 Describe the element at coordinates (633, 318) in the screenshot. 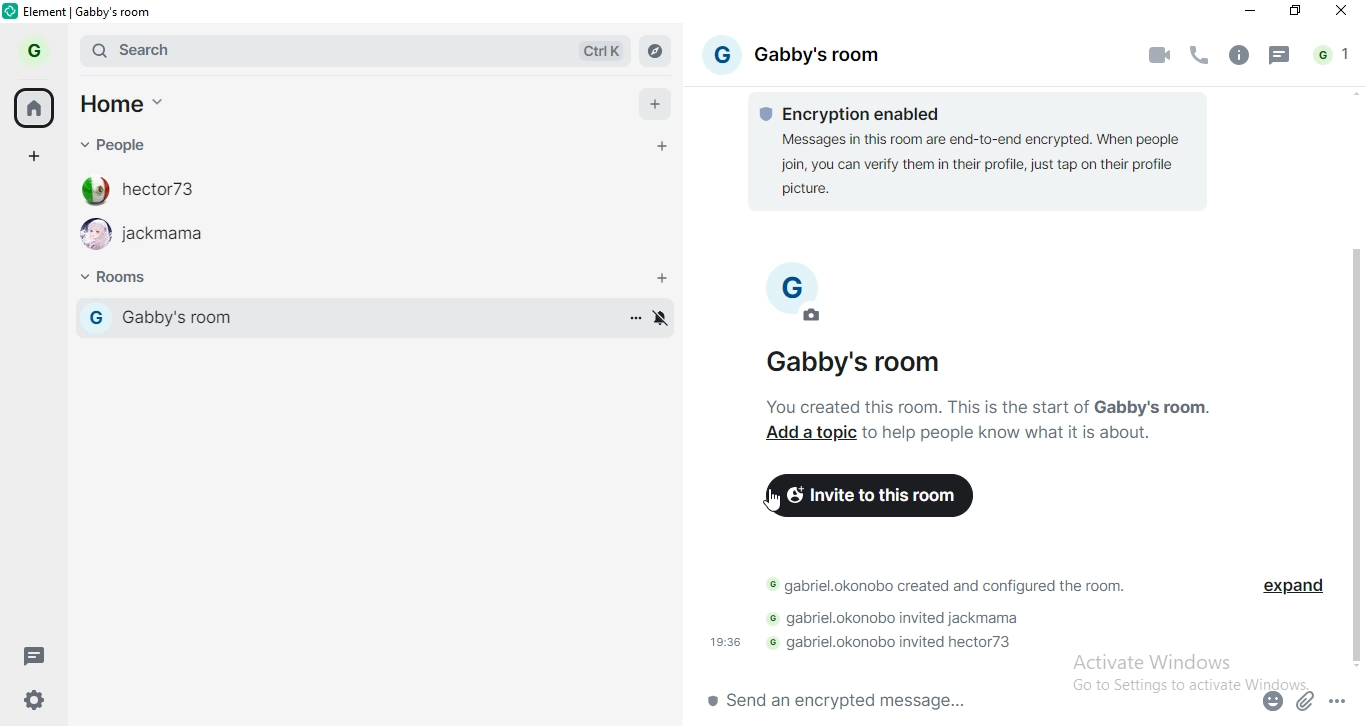

I see `more options` at that location.